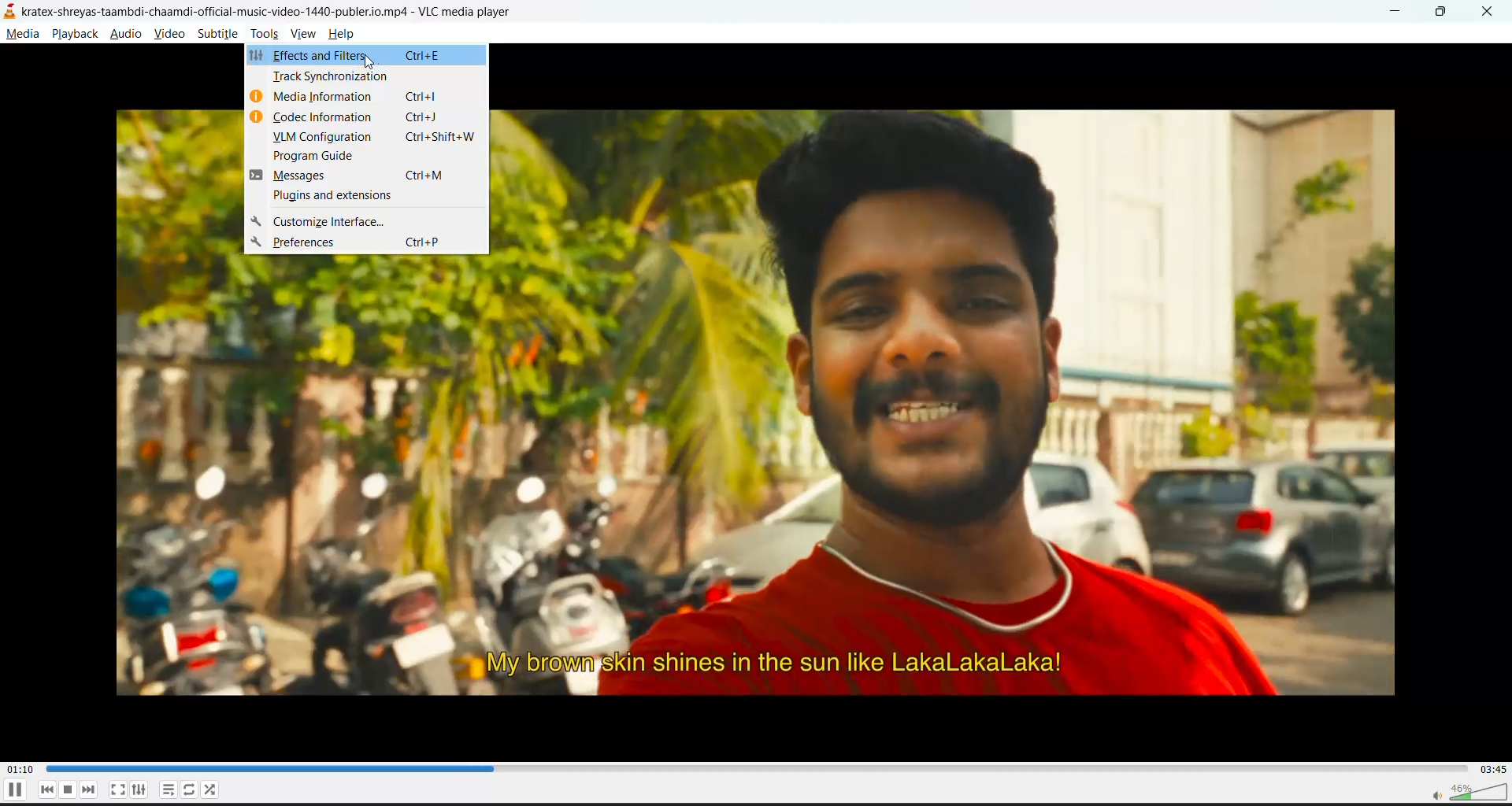 The image size is (1512, 806). I want to click on random, so click(210, 791).